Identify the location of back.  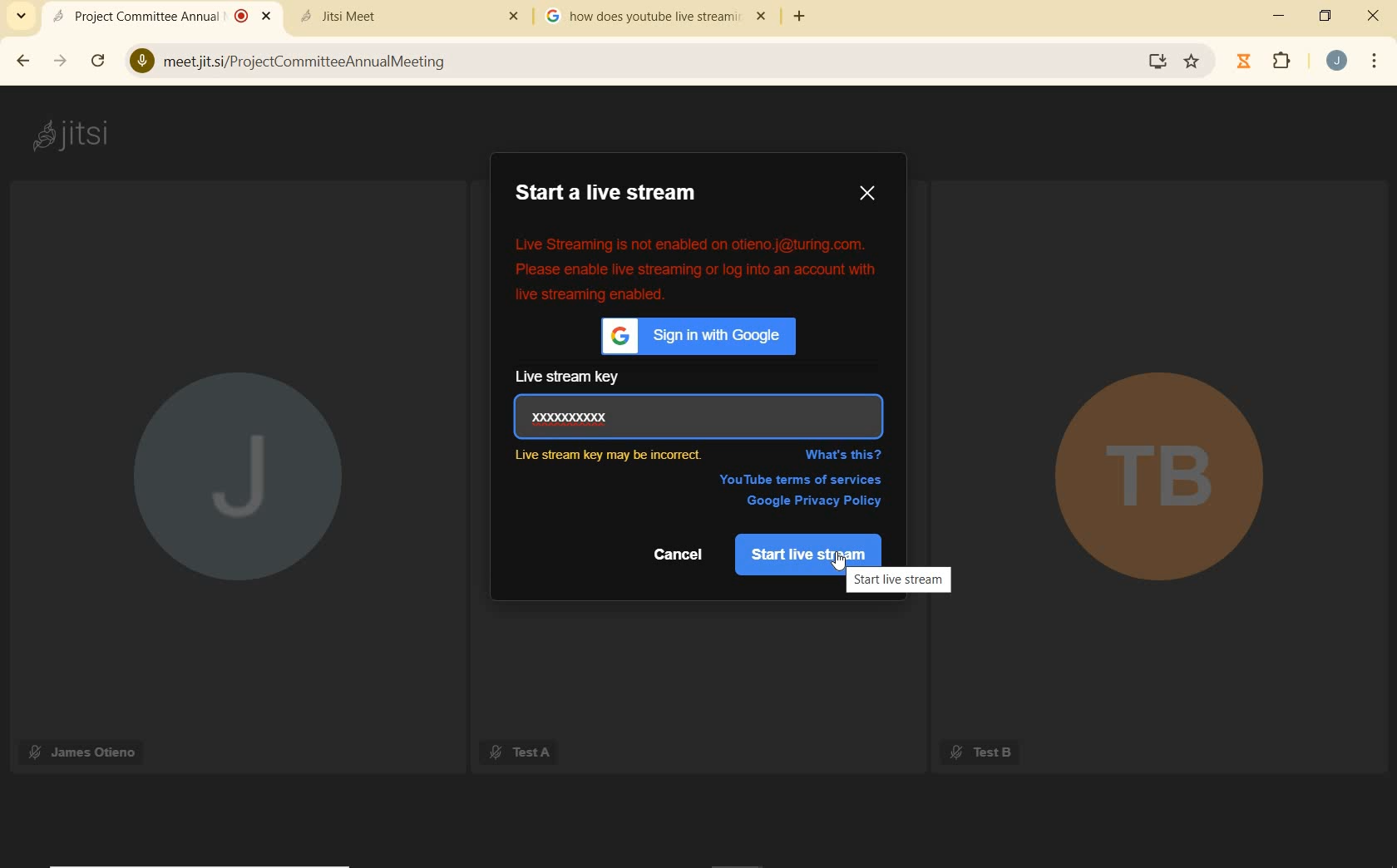
(24, 60).